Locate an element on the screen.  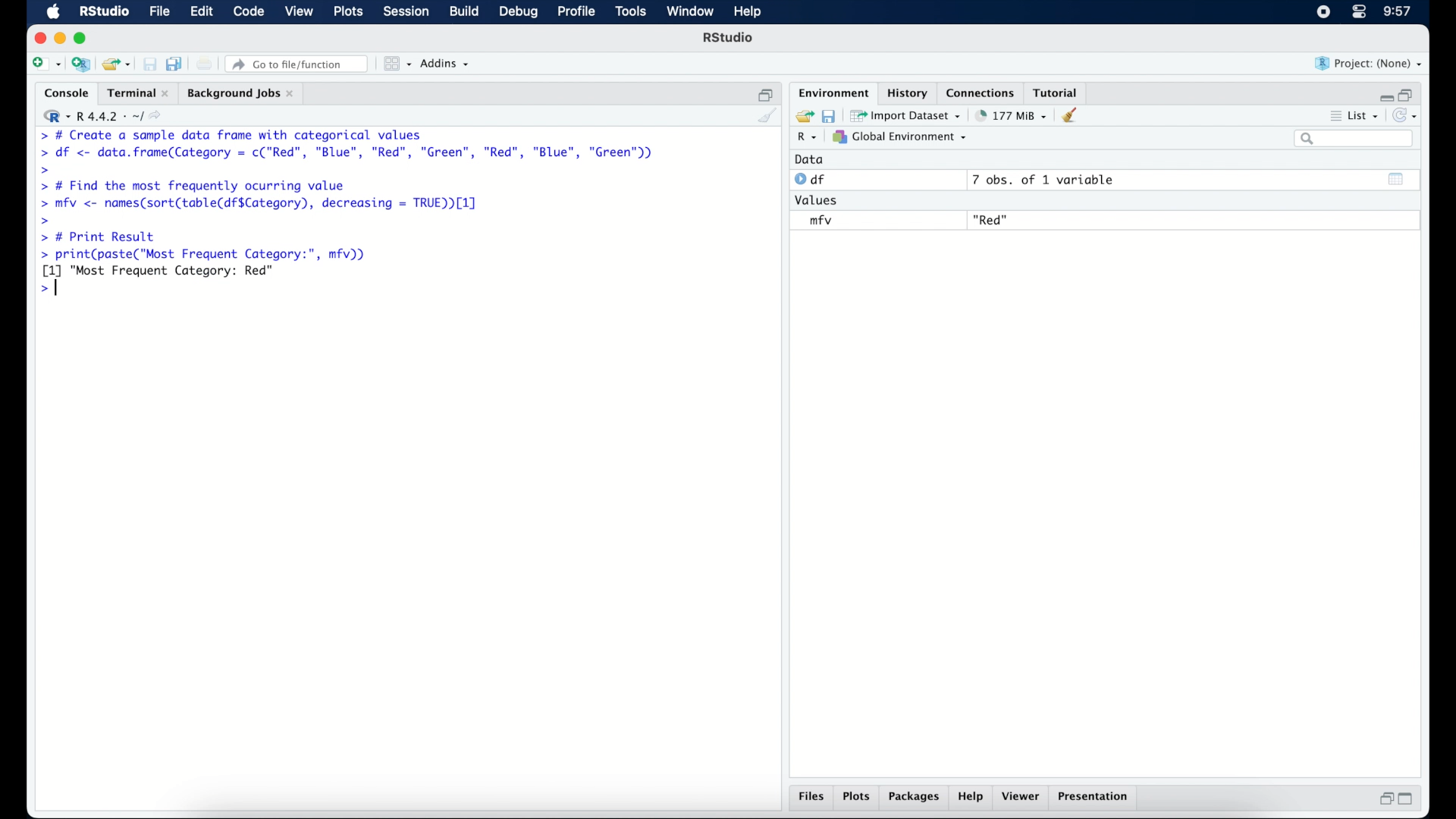
build is located at coordinates (465, 12).